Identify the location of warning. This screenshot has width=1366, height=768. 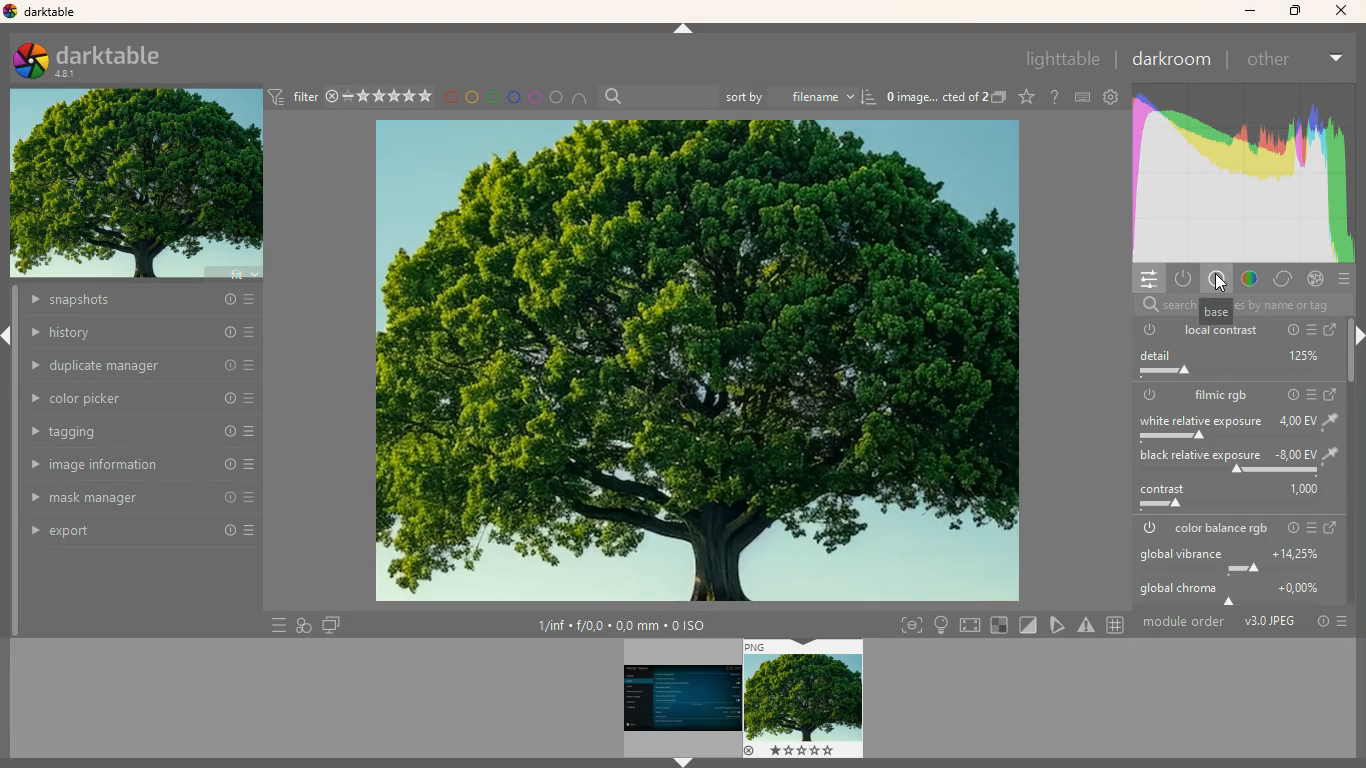
(1089, 625).